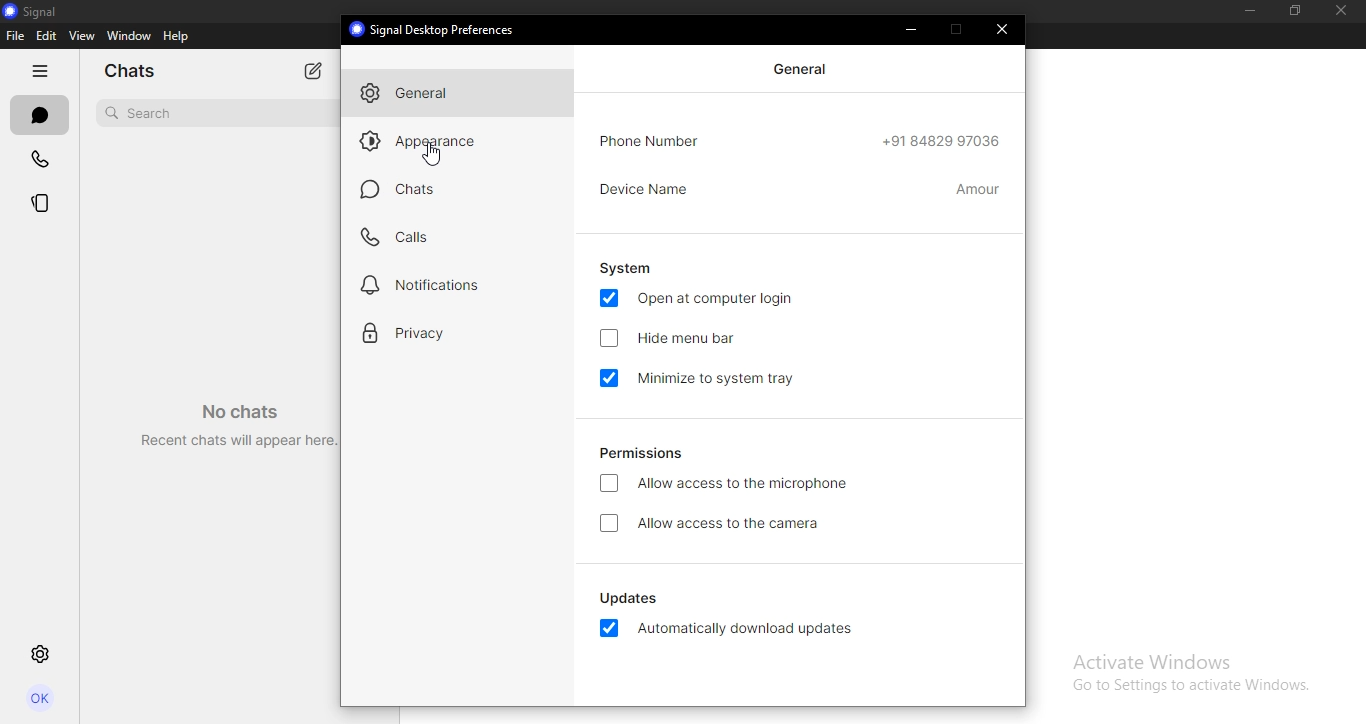  What do you see at coordinates (231, 418) in the screenshot?
I see `No chats Recent chats will appear here.` at bounding box center [231, 418].